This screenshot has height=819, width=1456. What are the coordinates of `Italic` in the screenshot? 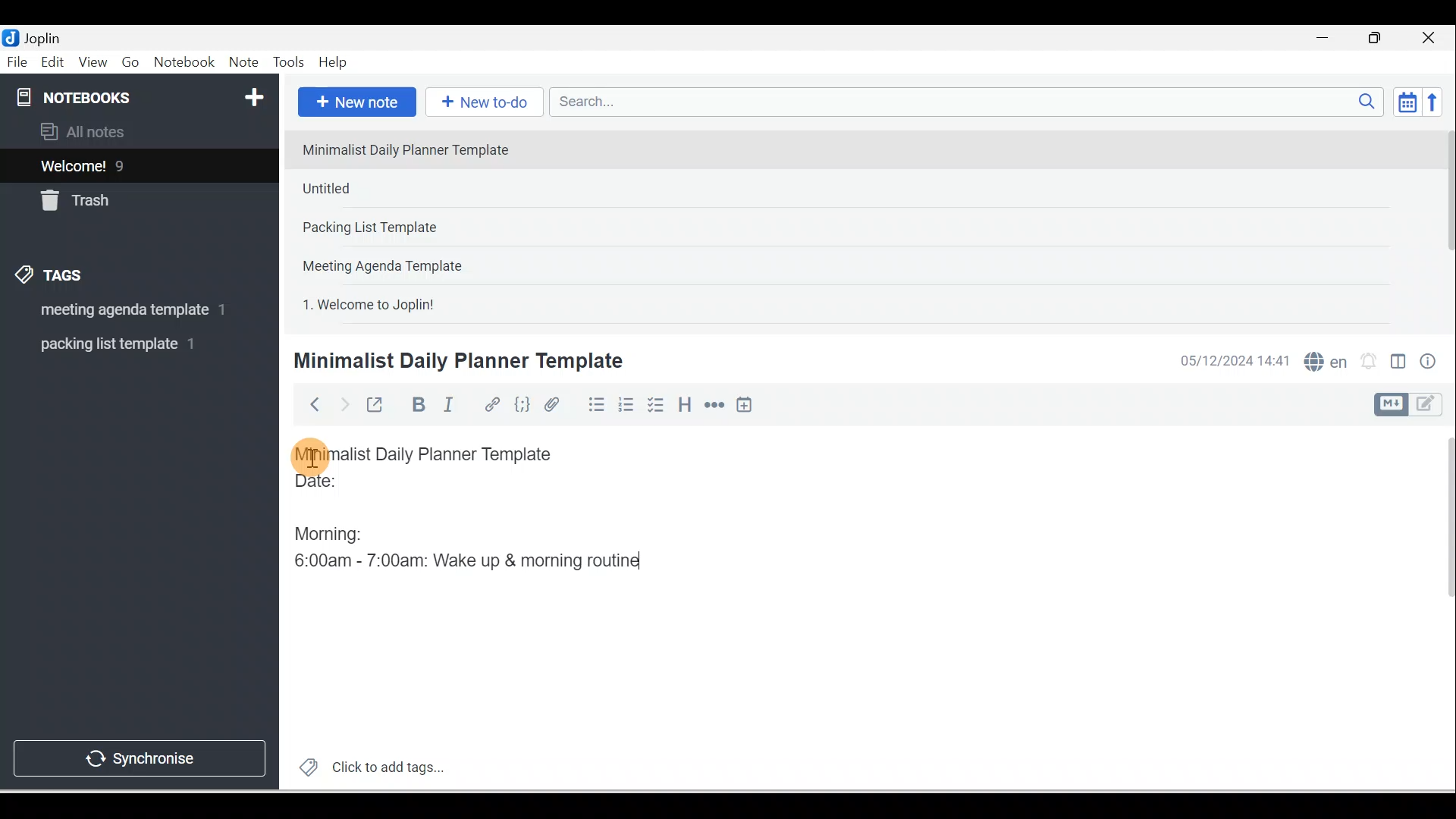 It's located at (451, 407).